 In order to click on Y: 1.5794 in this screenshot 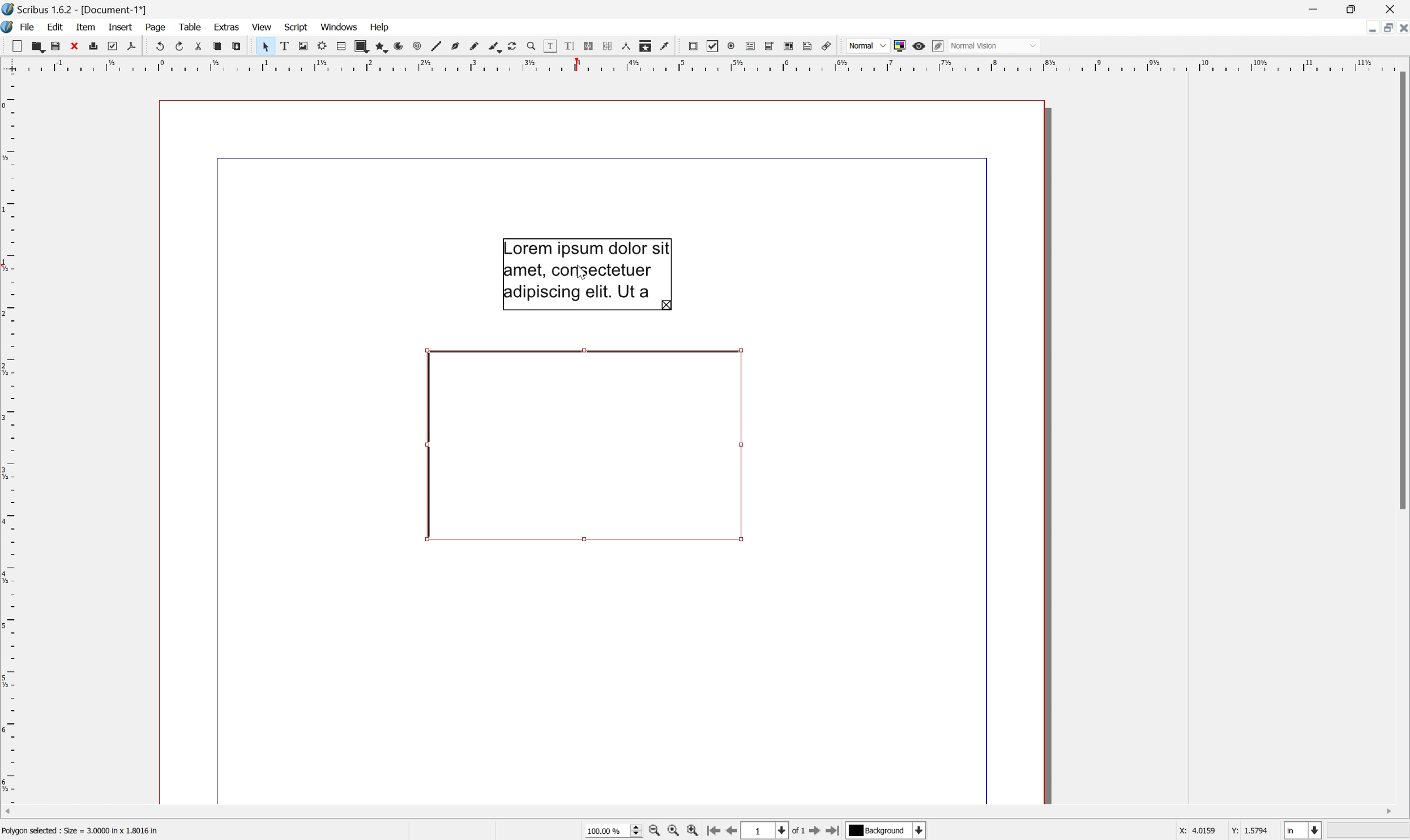, I will do `click(1250, 832)`.